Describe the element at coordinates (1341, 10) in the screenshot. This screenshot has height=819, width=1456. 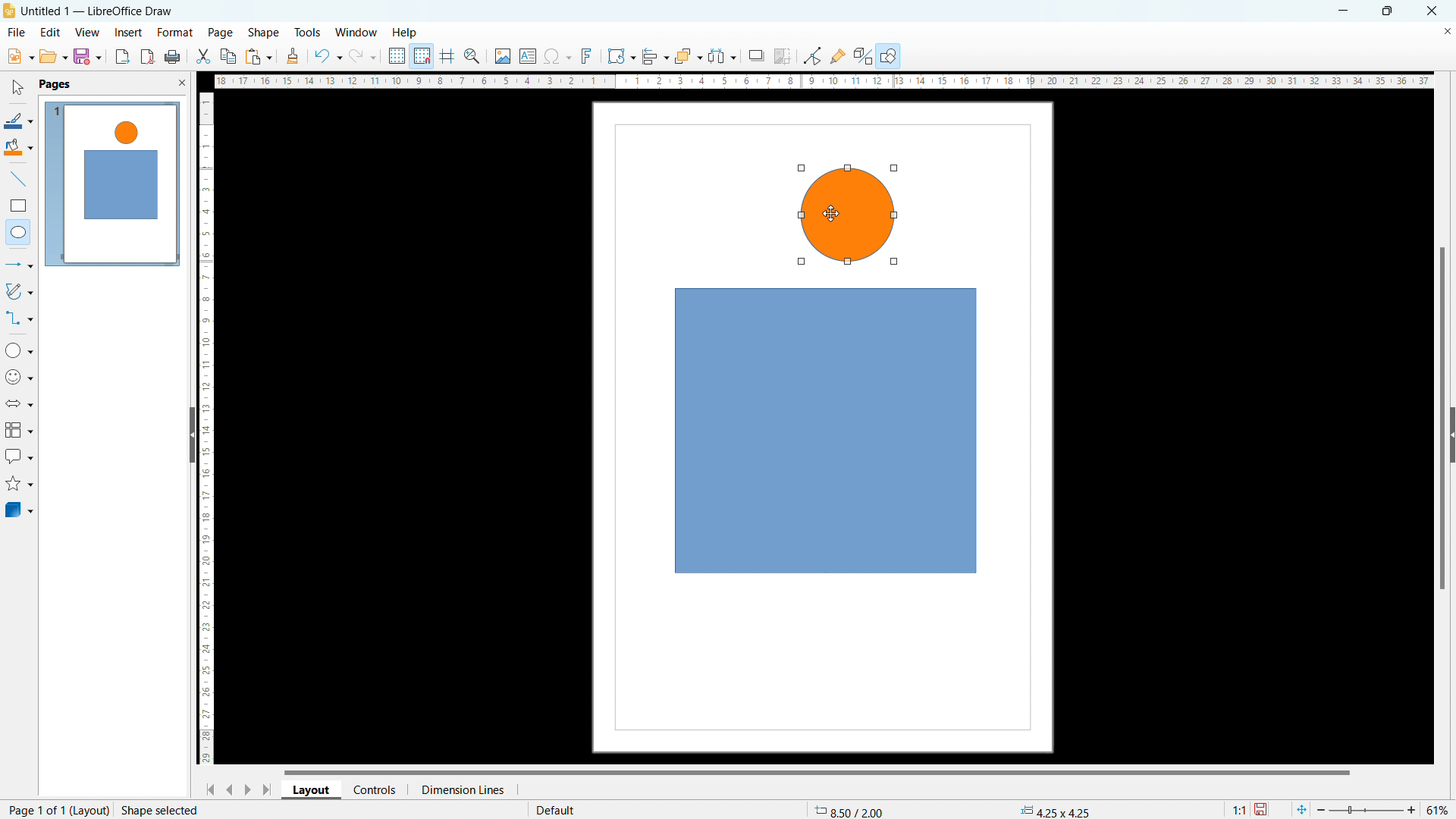
I see `minimize` at that location.